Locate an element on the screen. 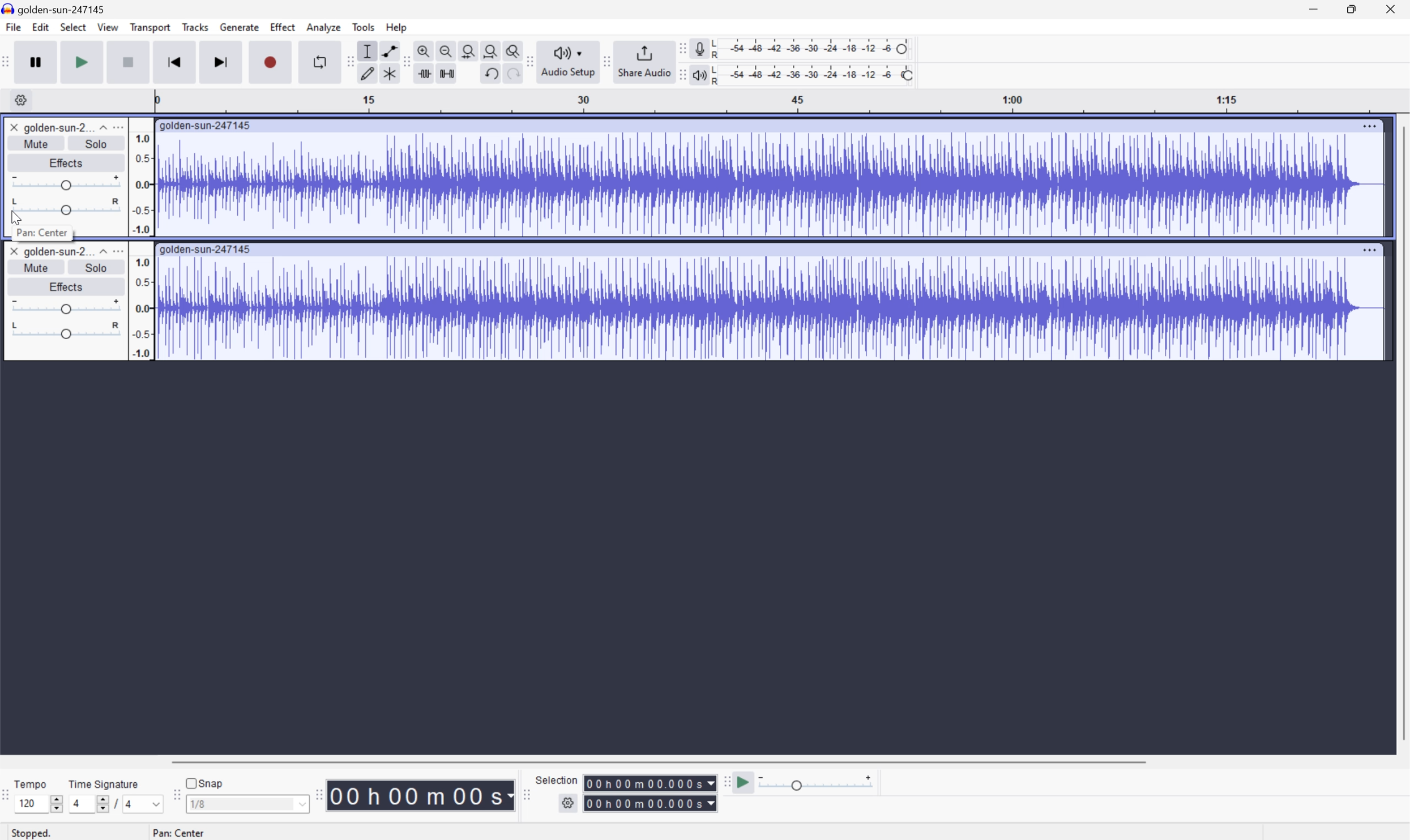 The height and width of the screenshot is (840, 1410). 120 is located at coordinates (30, 805).